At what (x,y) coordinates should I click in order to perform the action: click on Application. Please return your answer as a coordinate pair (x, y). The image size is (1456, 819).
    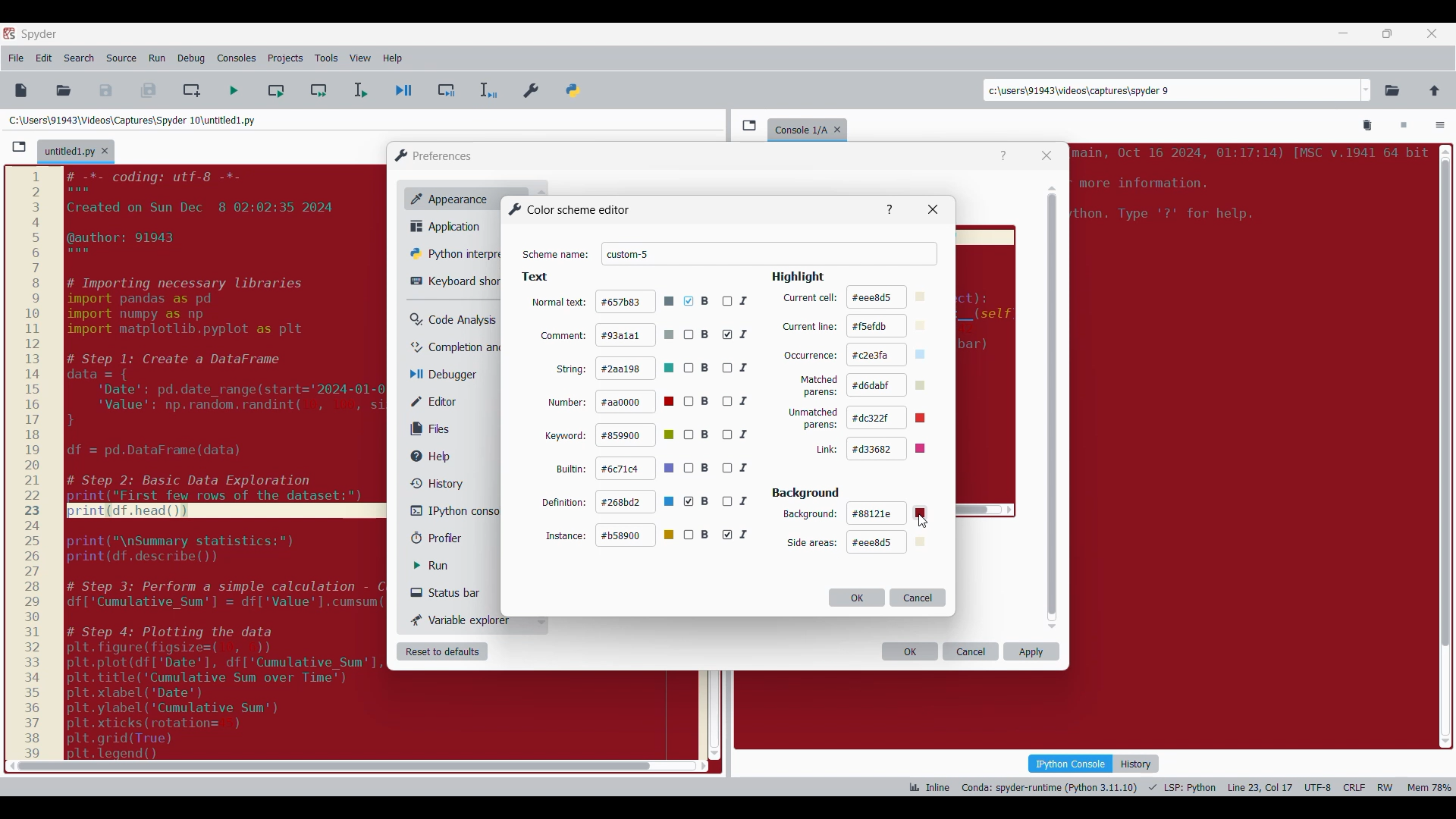
    Looking at the image, I should click on (450, 226).